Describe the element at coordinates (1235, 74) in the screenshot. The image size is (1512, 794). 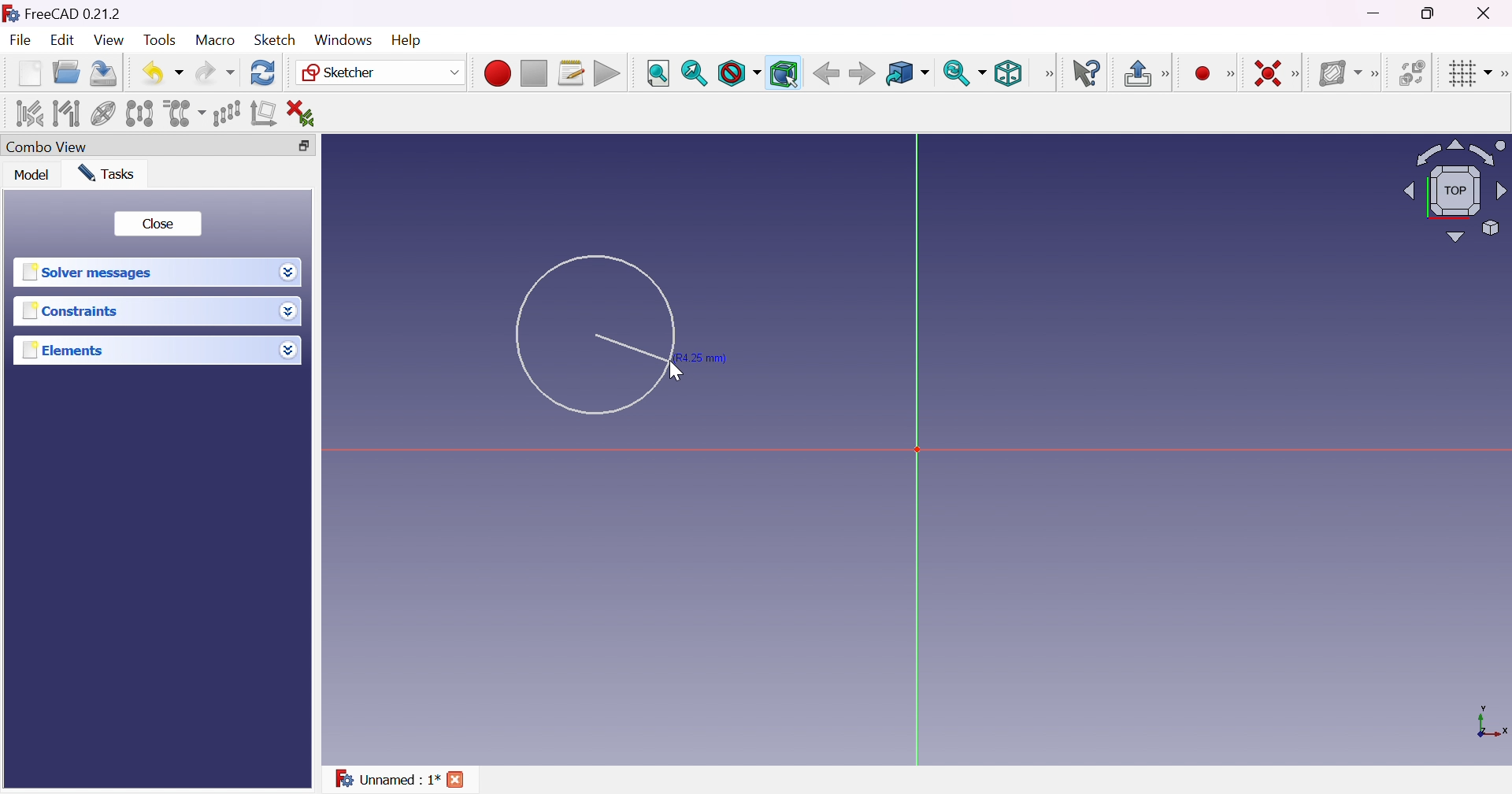
I see `[Sketcher geometries]` at that location.